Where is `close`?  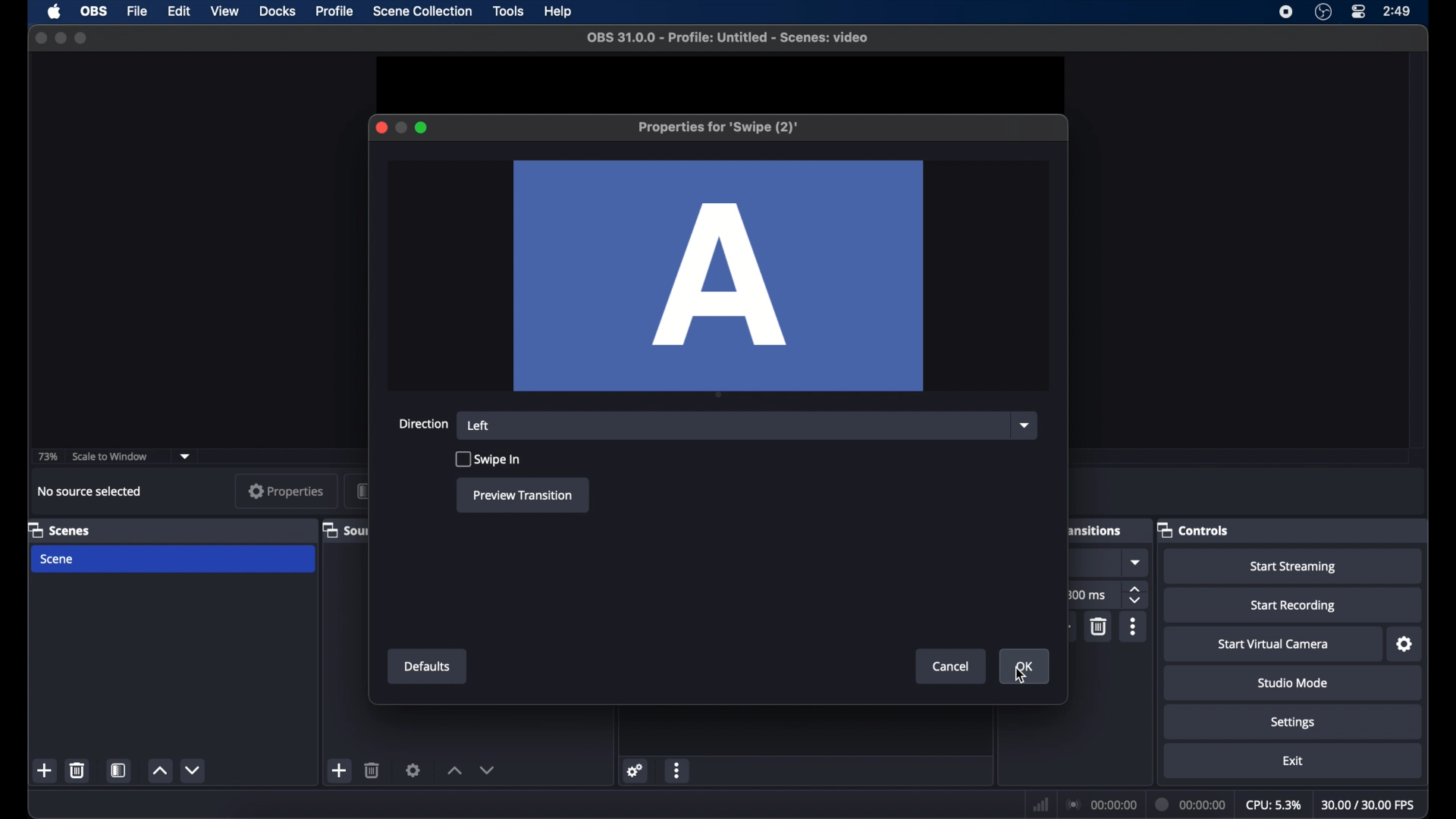 close is located at coordinates (40, 38).